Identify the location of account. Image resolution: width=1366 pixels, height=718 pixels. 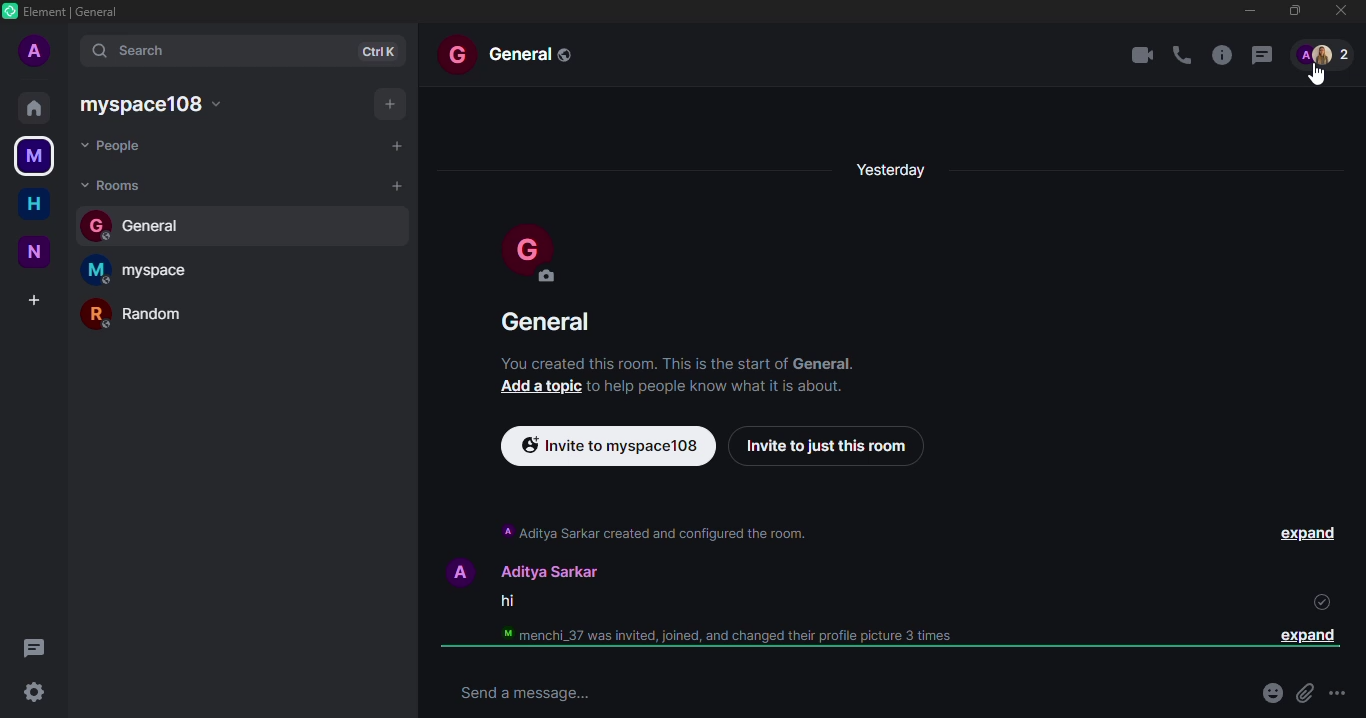
(37, 50).